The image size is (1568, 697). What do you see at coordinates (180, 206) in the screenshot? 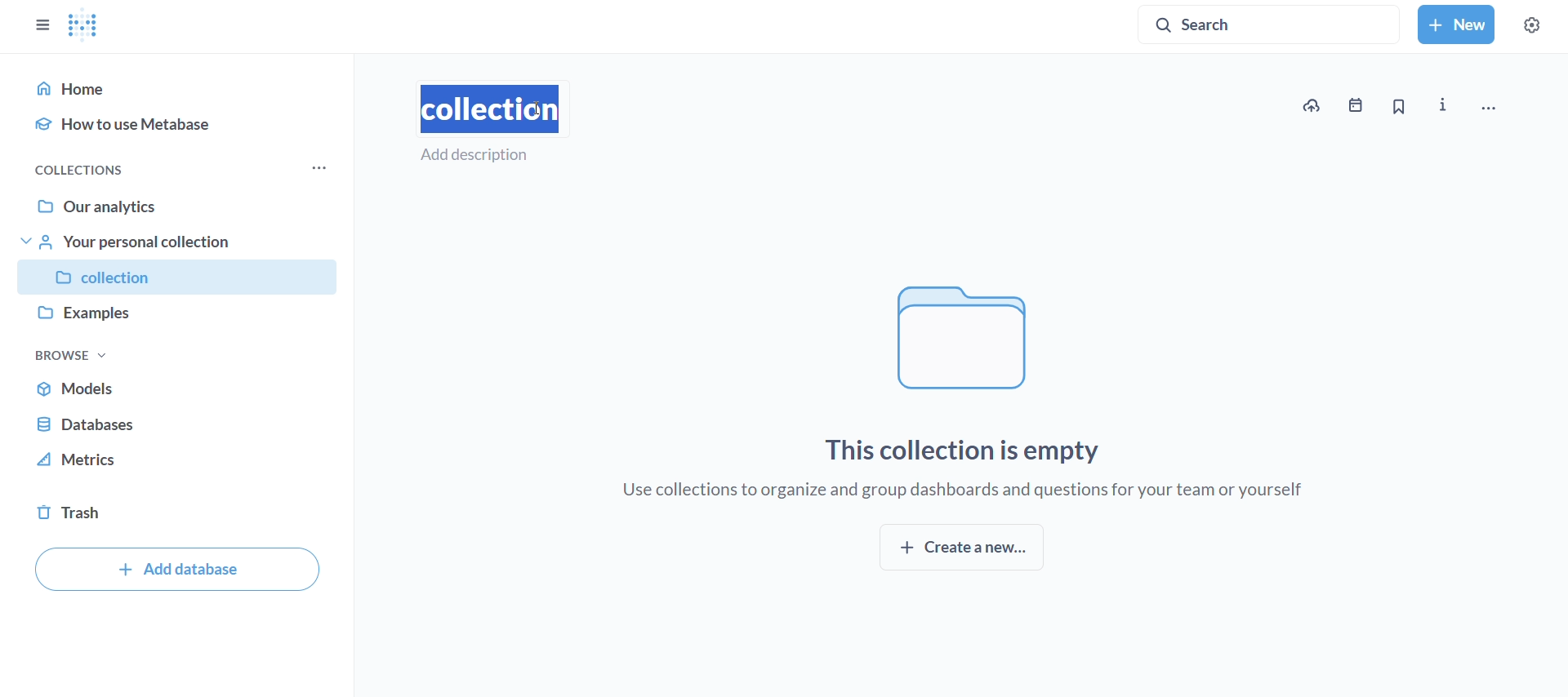
I see `our analytics` at bounding box center [180, 206].